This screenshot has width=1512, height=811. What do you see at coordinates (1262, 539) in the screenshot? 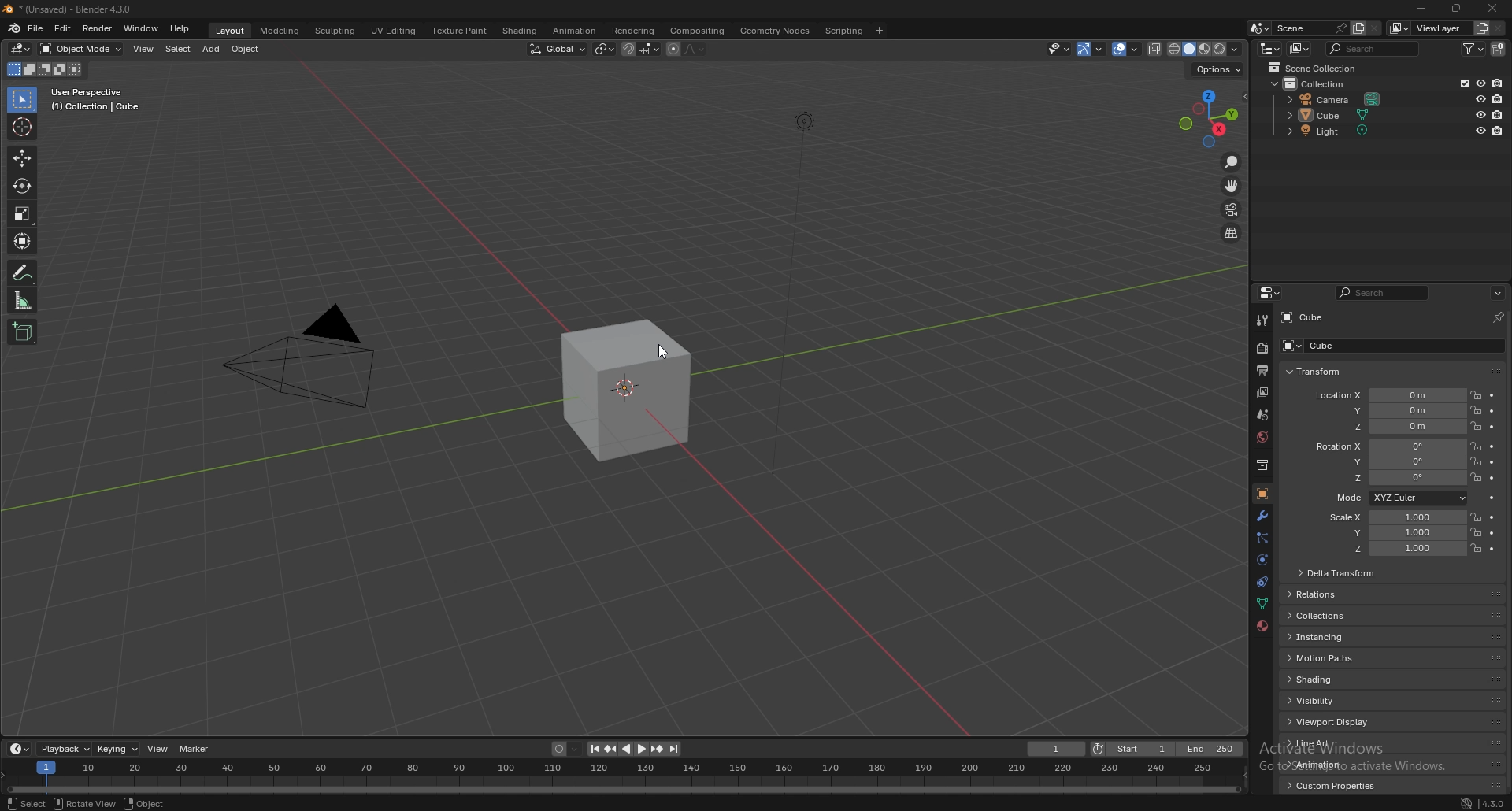
I see `particle` at bounding box center [1262, 539].